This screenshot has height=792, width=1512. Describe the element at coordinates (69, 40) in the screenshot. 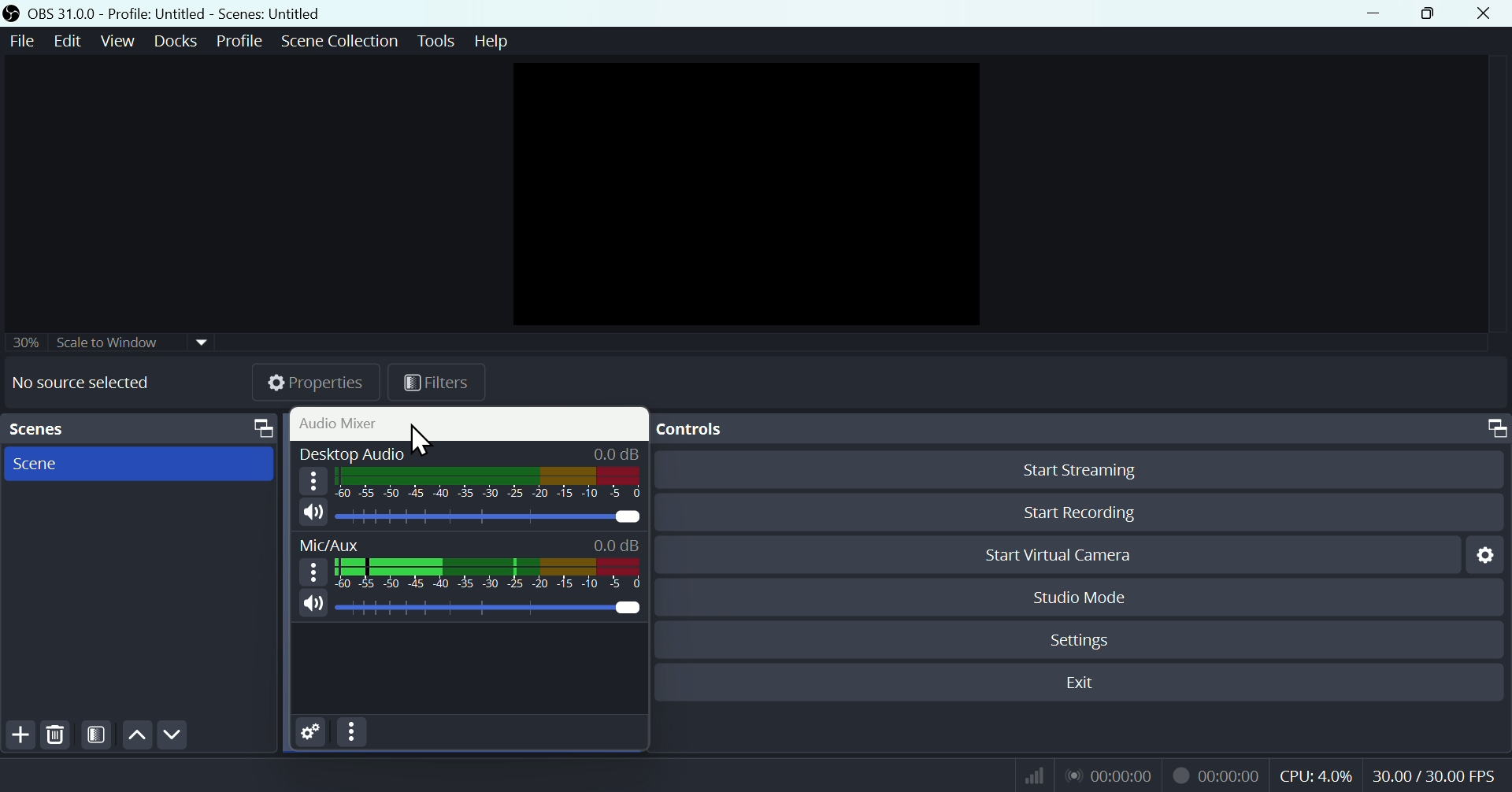

I see `Edit` at that location.